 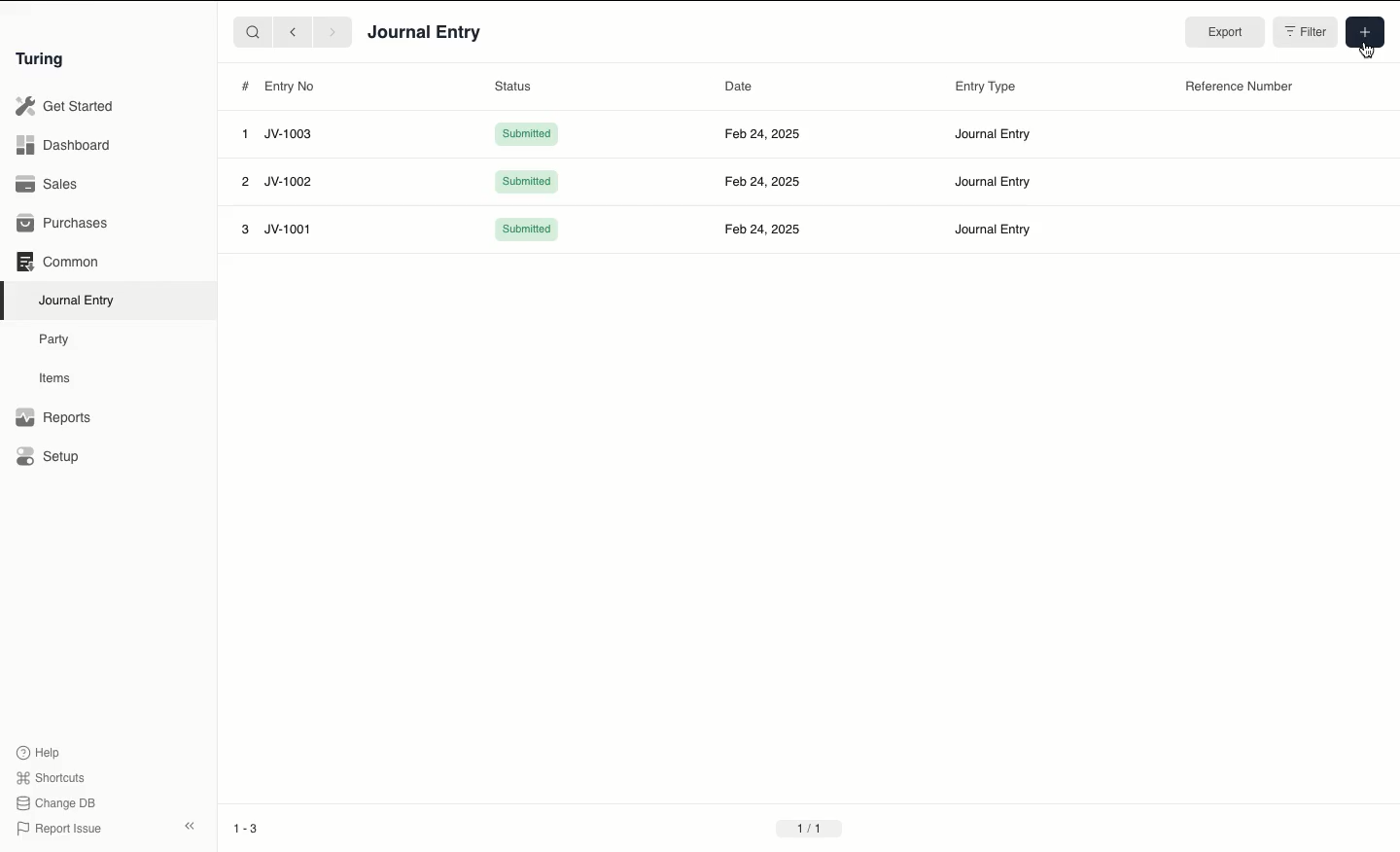 What do you see at coordinates (63, 146) in the screenshot?
I see `Dashboard` at bounding box center [63, 146].